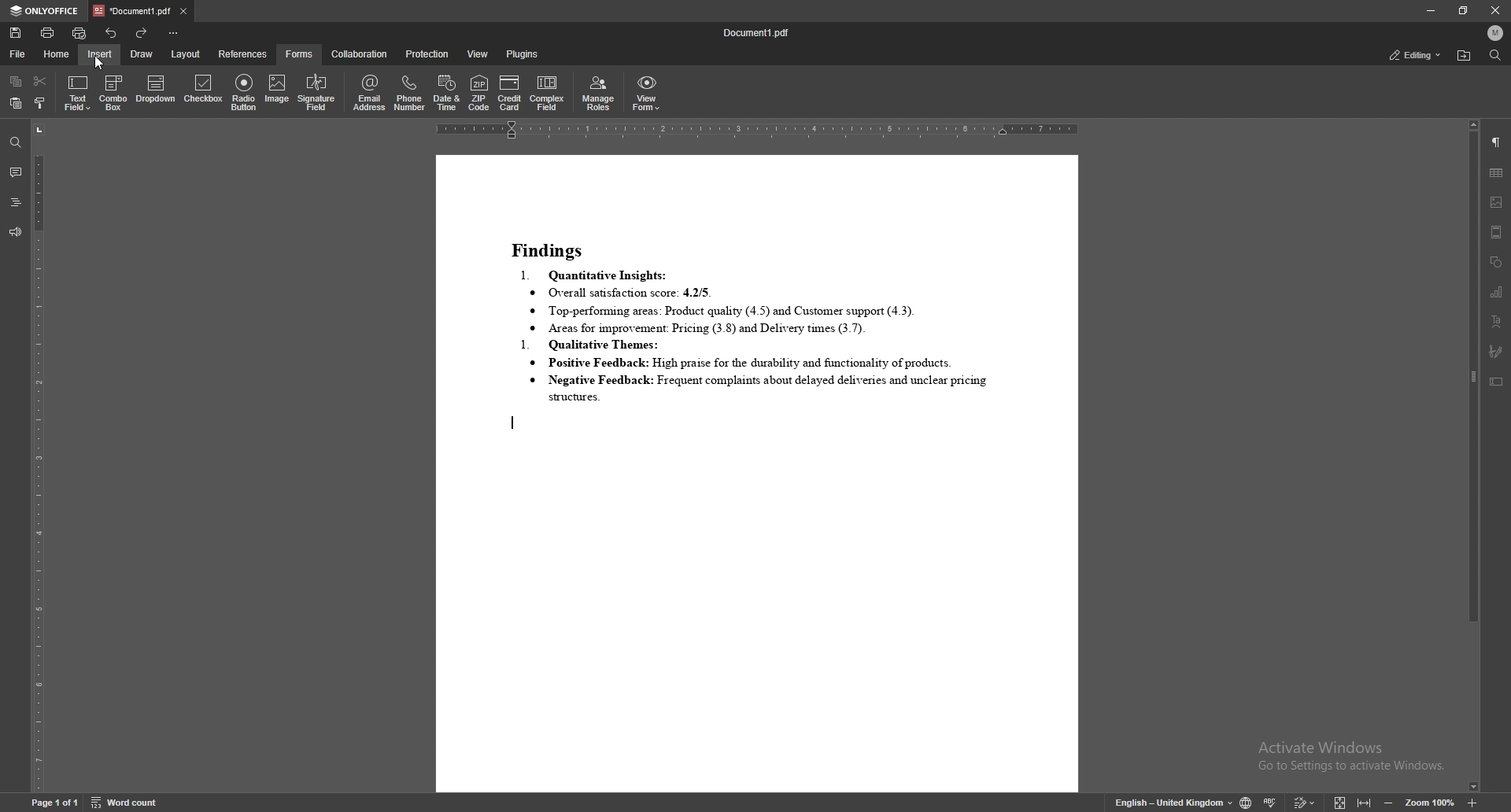  I want to click on save, so click(17, 33).